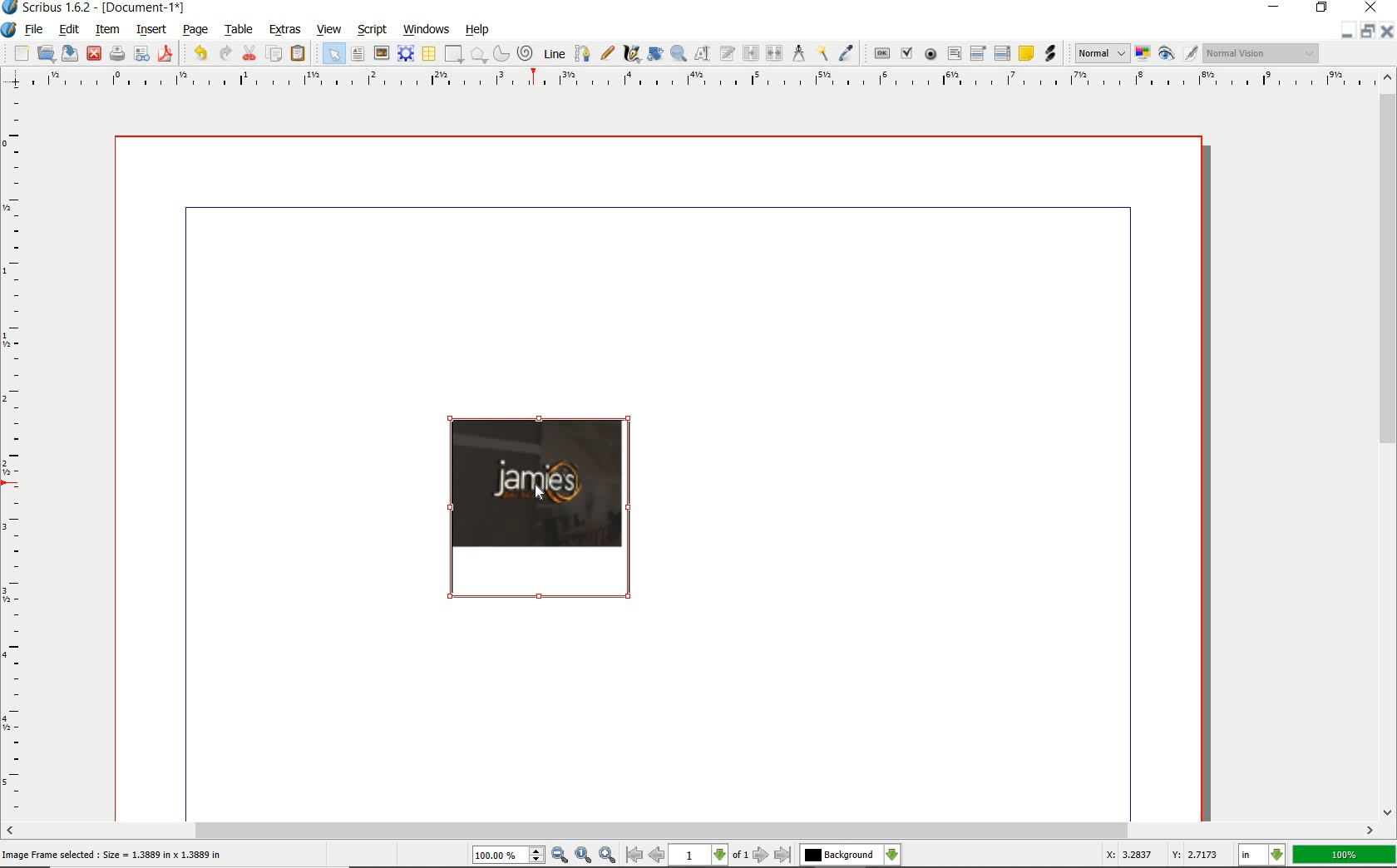 The height and width of the screenshot is (868, 1397). What do you see at coordinates (199, 53) in the screenshot?
I see `REDO` at bounding box center [199, 53].